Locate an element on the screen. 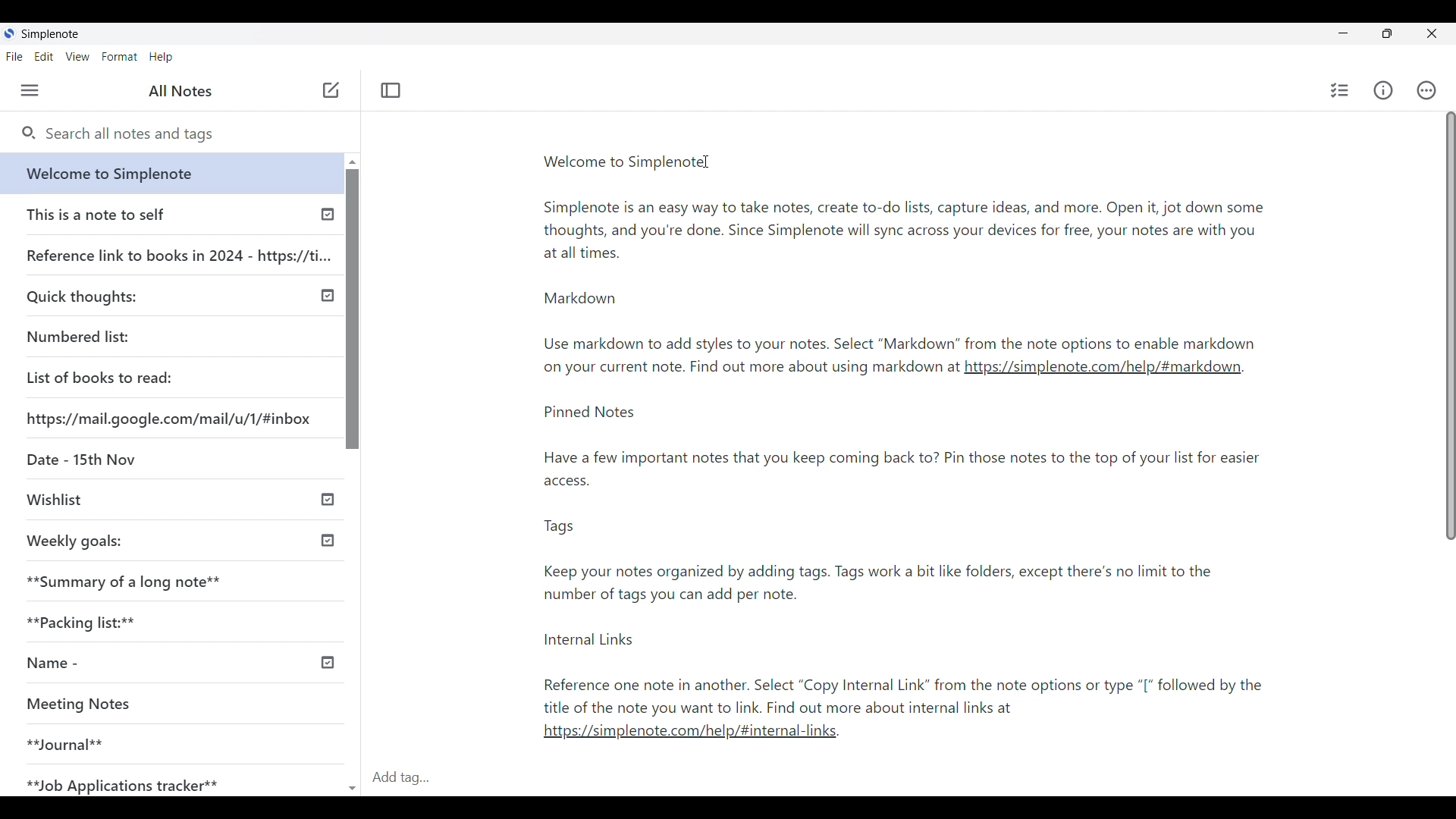  Meeting Notes is located at coordinates (86, 702).